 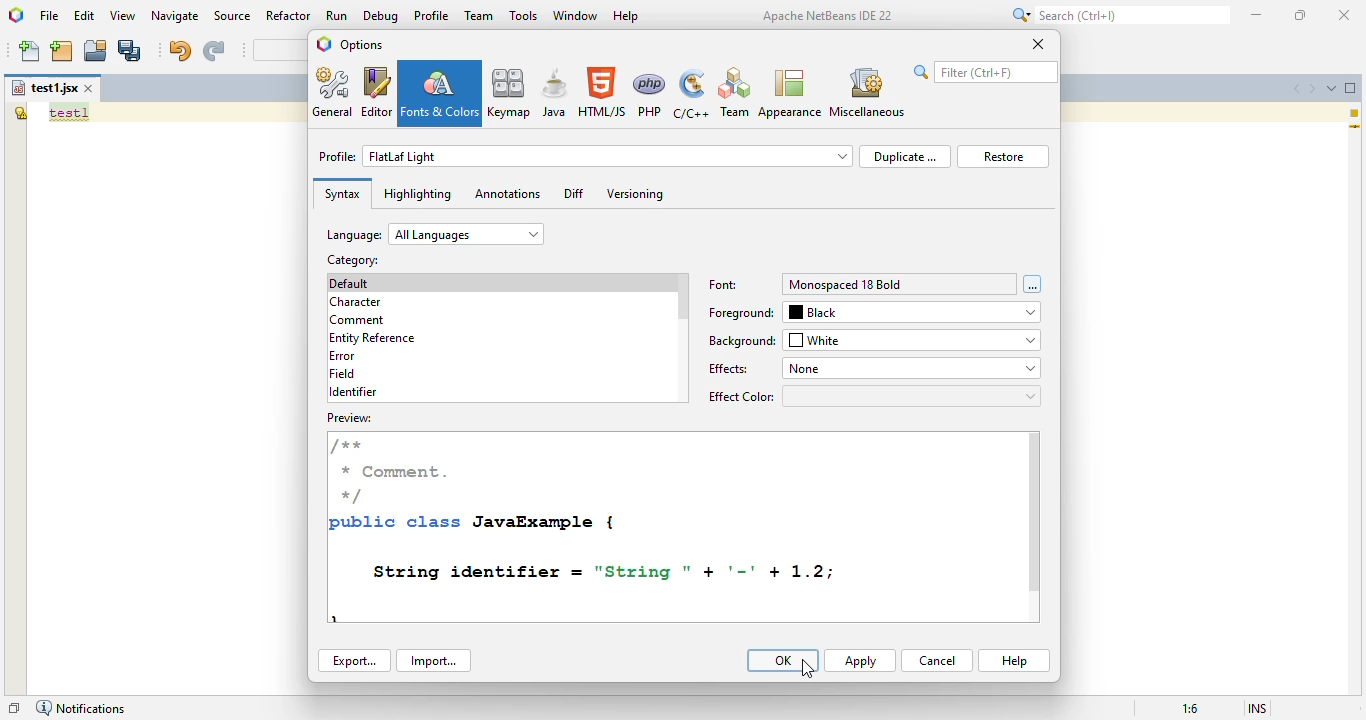 I want to click on magnification ratio, so click(x=1190, y=708).